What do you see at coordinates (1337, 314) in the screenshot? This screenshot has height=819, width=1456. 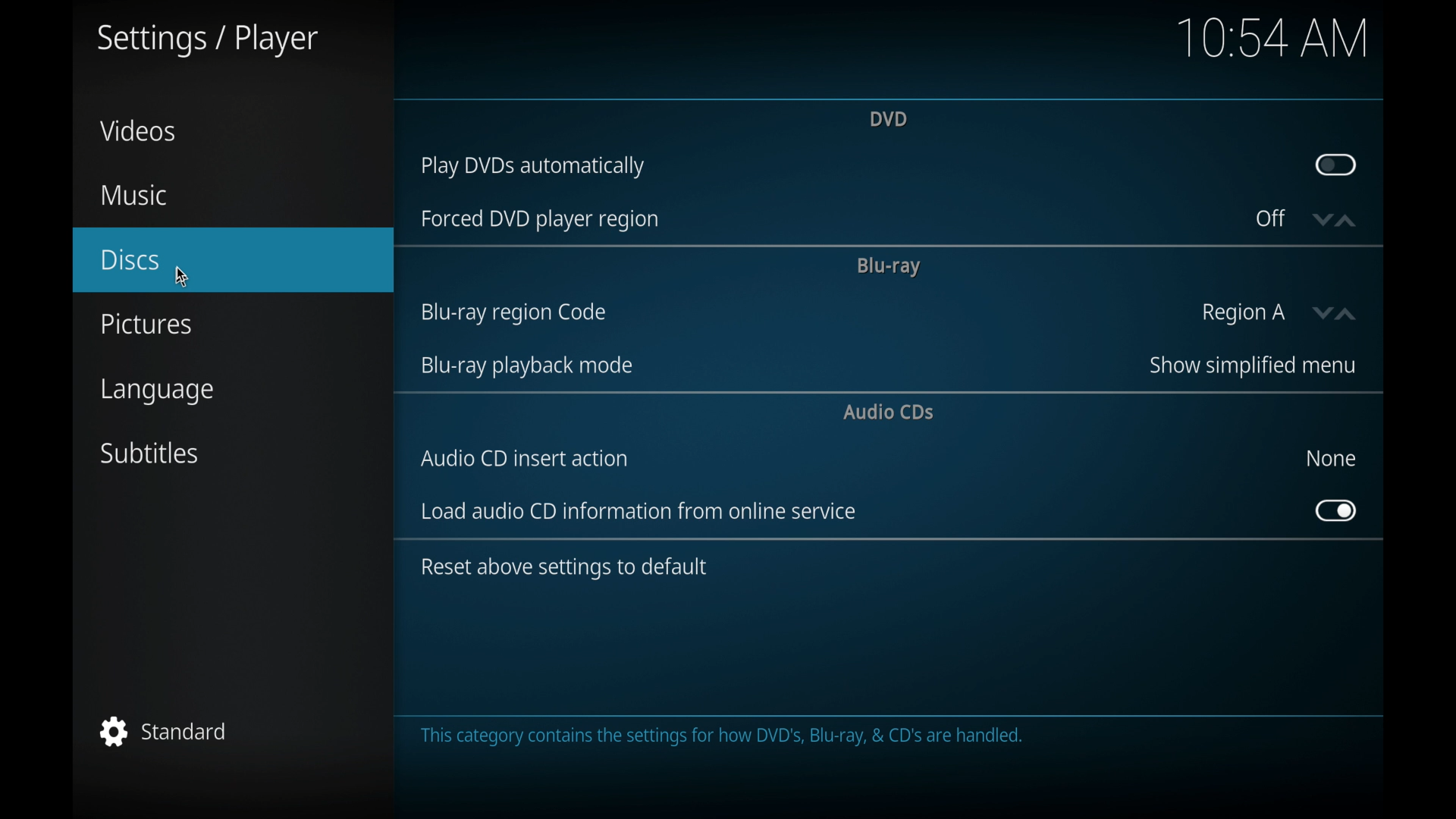 I see `stepper buttons` at bounding box center [1337, 314].